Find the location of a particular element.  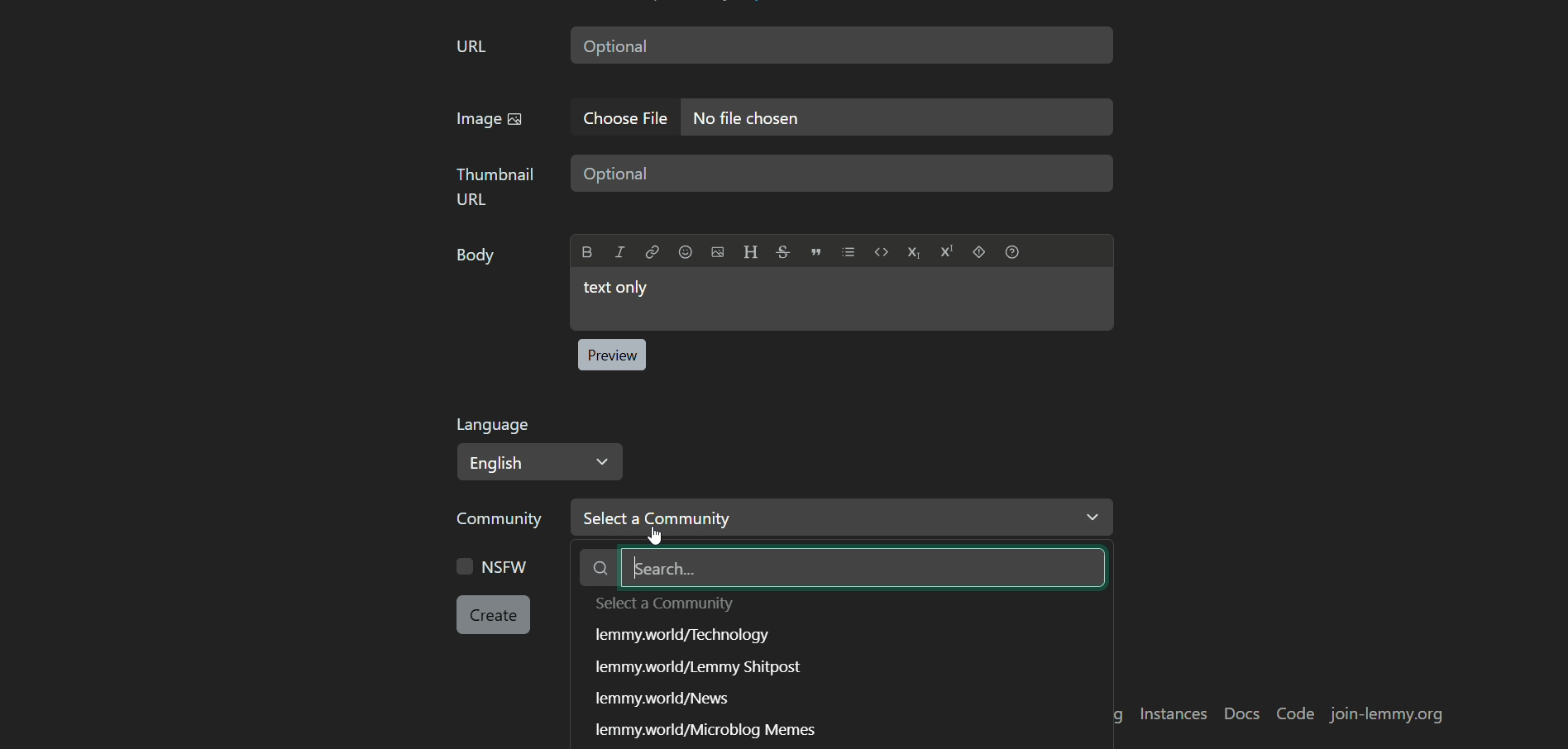

choose file is located at coordinates (629, 117).